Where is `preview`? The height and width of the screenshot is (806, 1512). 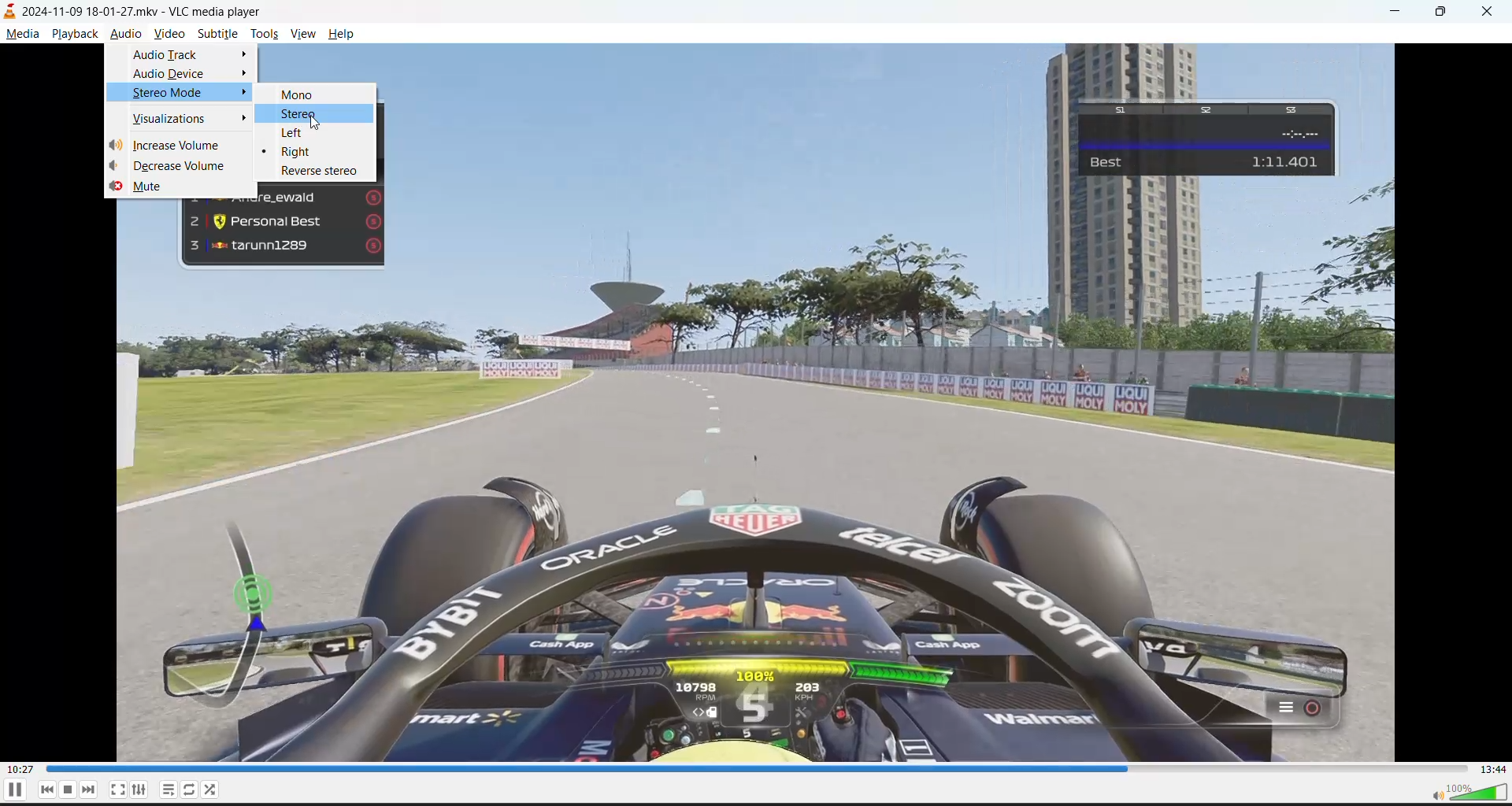 preview is located at coordinates (149, 243).